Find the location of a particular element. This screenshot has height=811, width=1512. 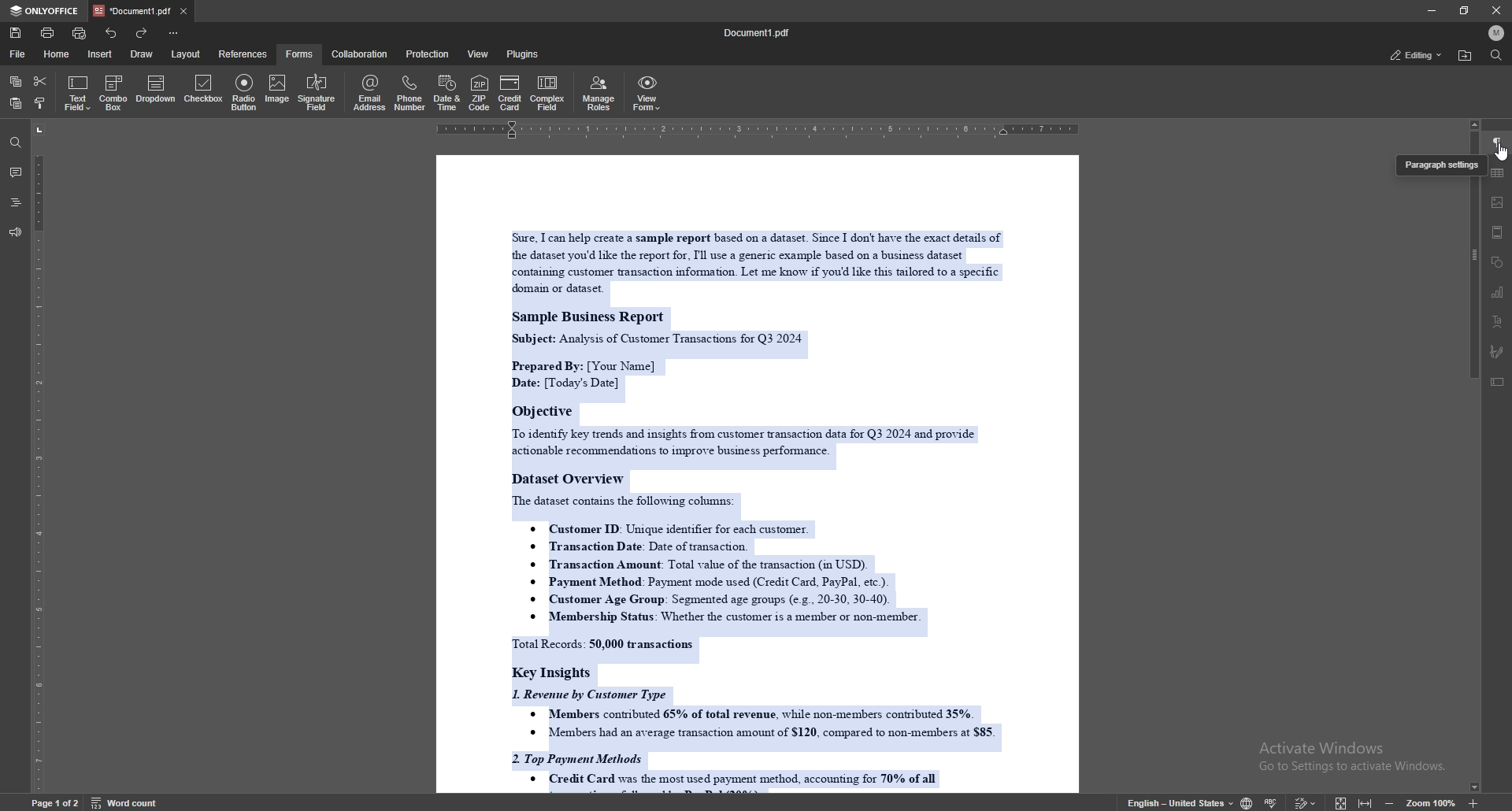

cut is located at coordinates (40, 81).